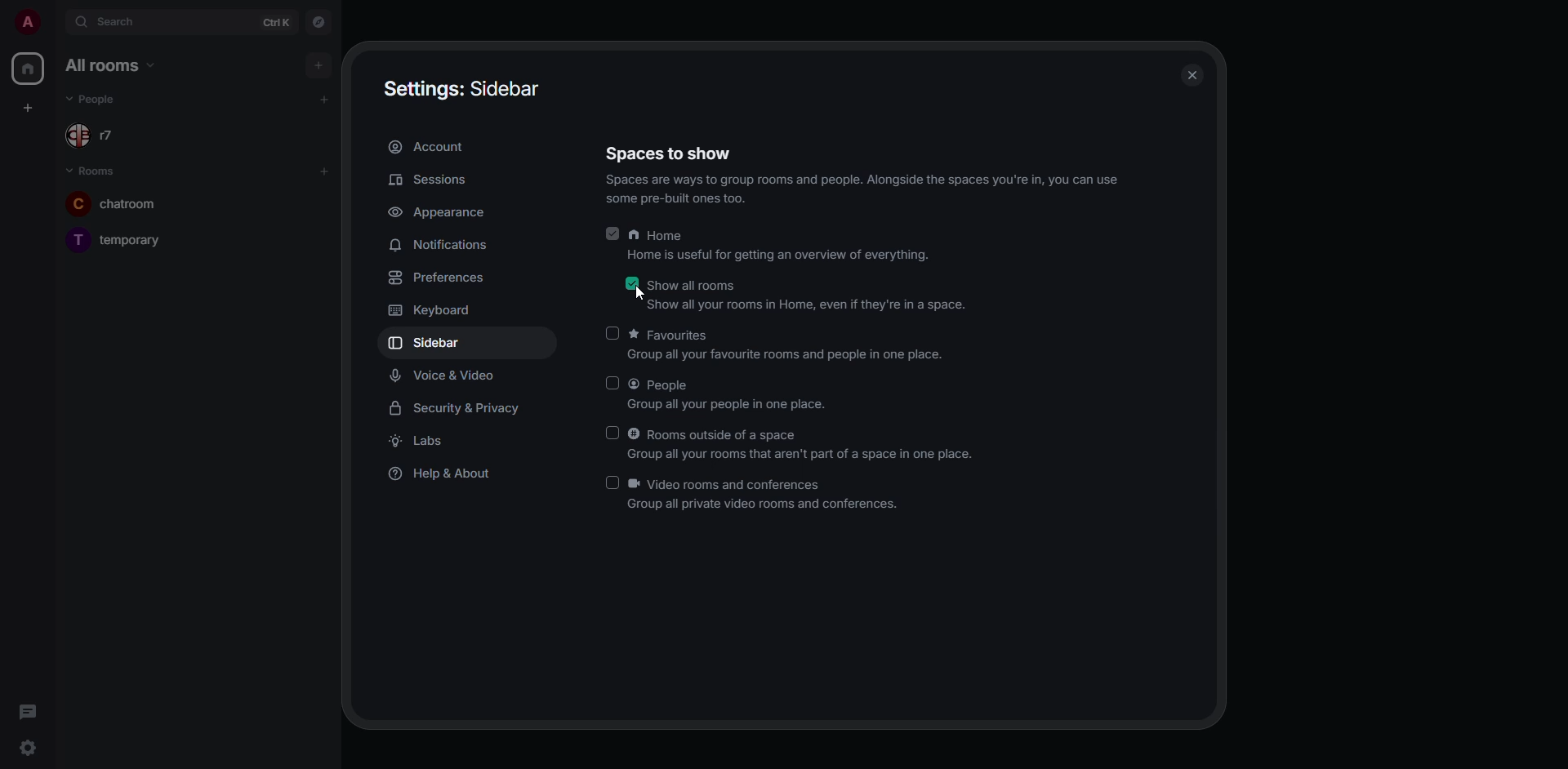  Describe the element at coordinates (431, 147) in the screenshot. I see `account` at that location.